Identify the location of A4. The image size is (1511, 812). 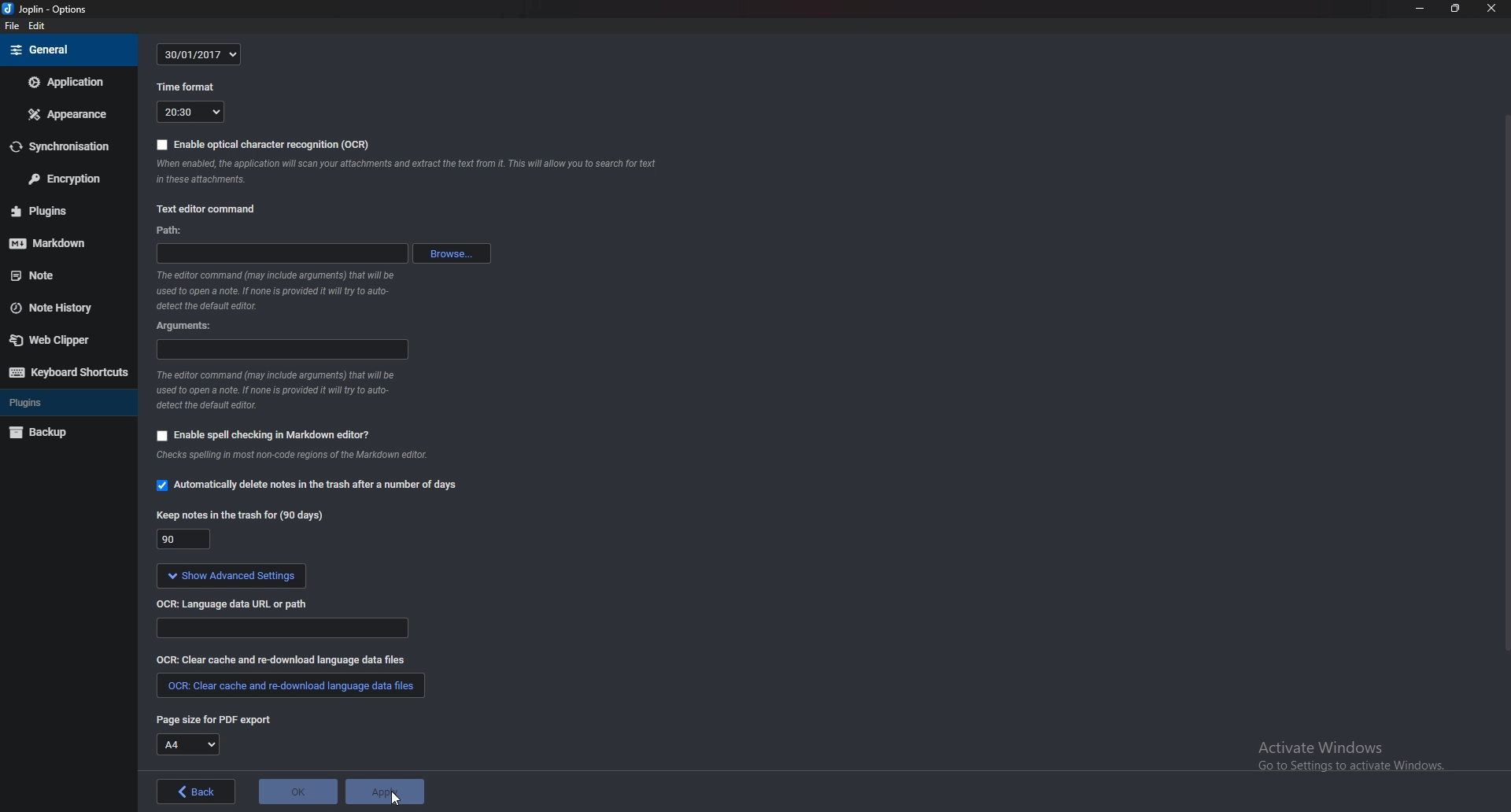
(187, 744).